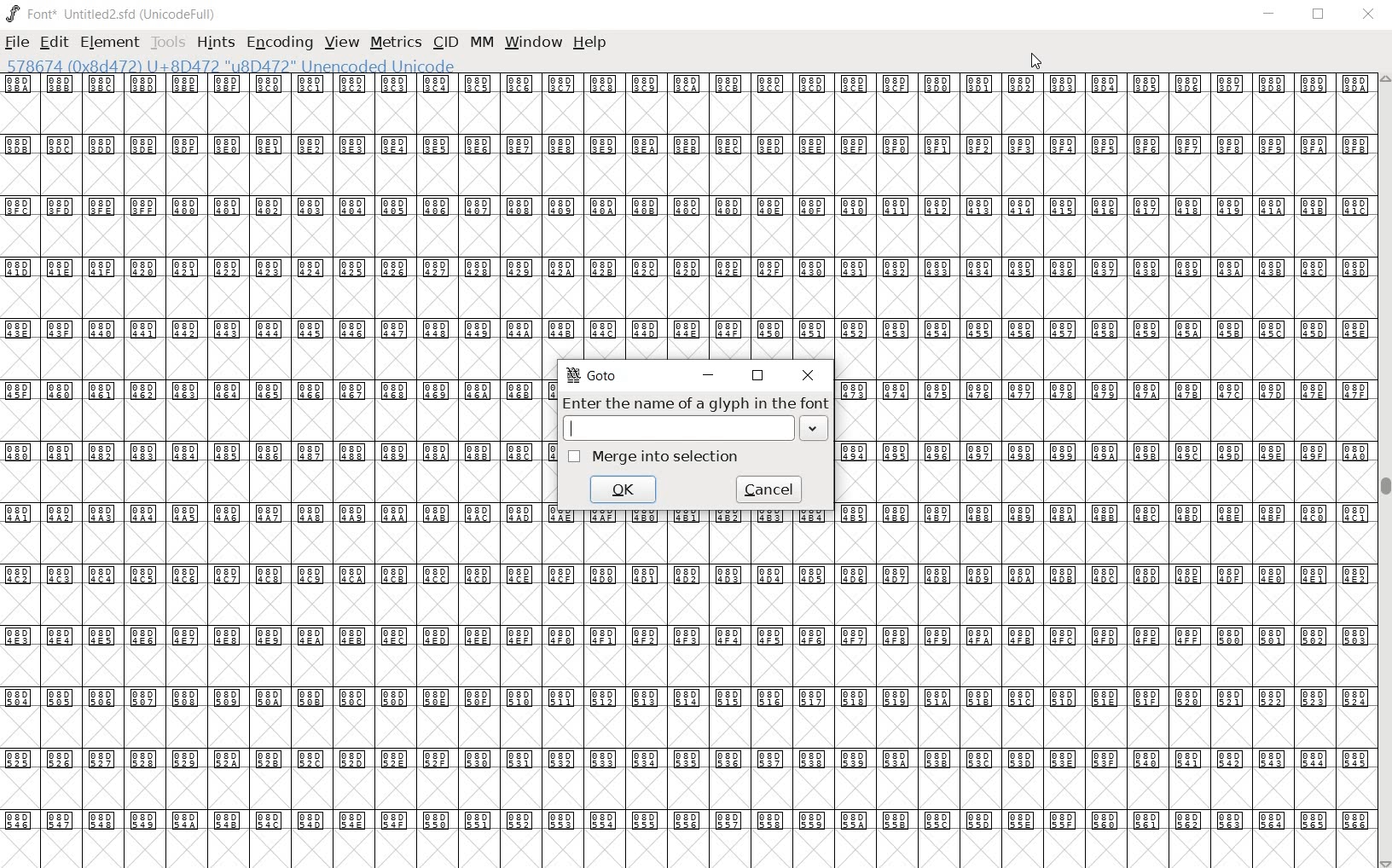  Describe the element at coordinates (342, 43) in the screenshot. I see `view` at that location.